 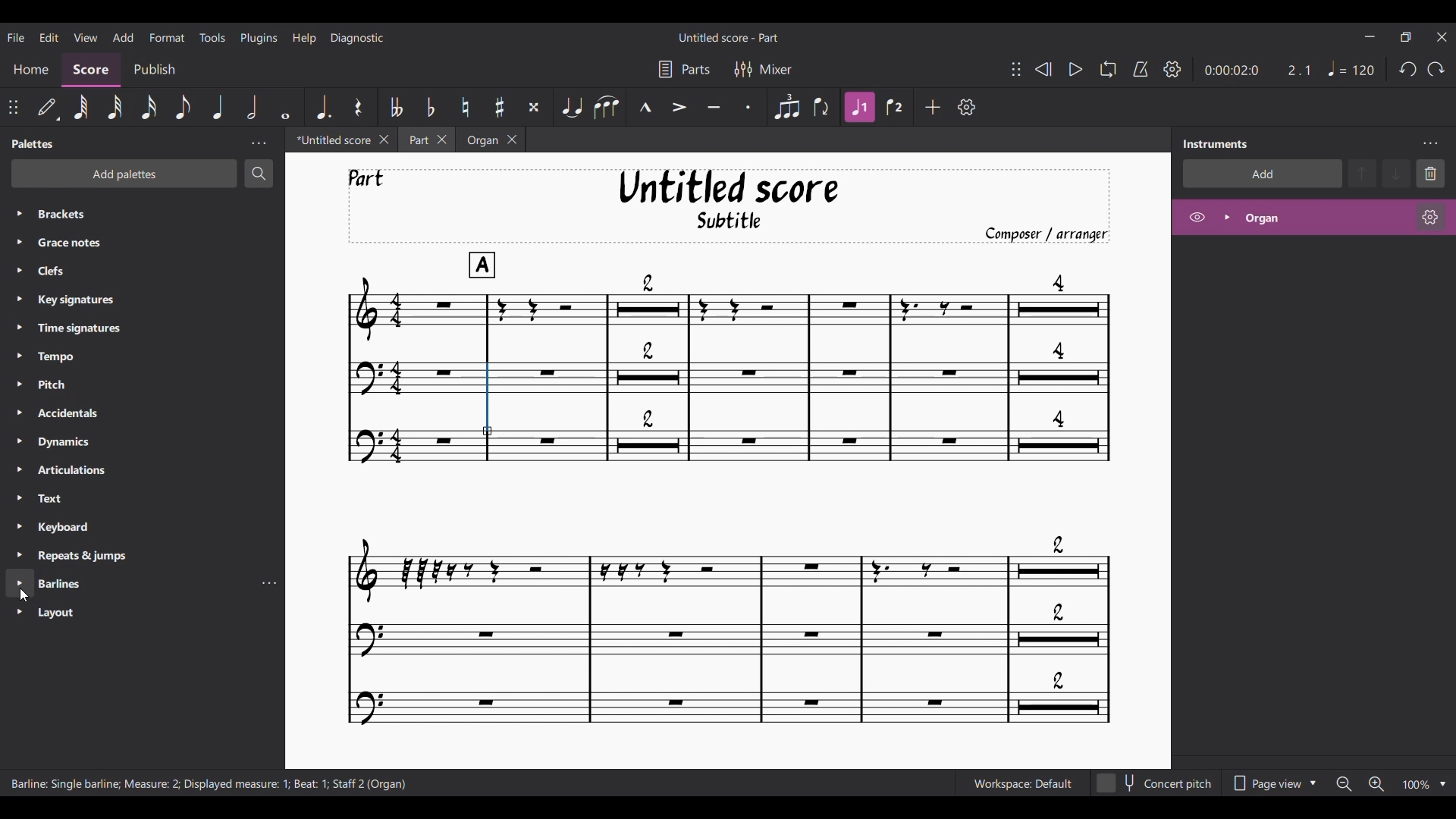 What do you see at coordinates (442, 140) in the screenshot?
I see `Close Part tab` at bounding box center [442, 140].